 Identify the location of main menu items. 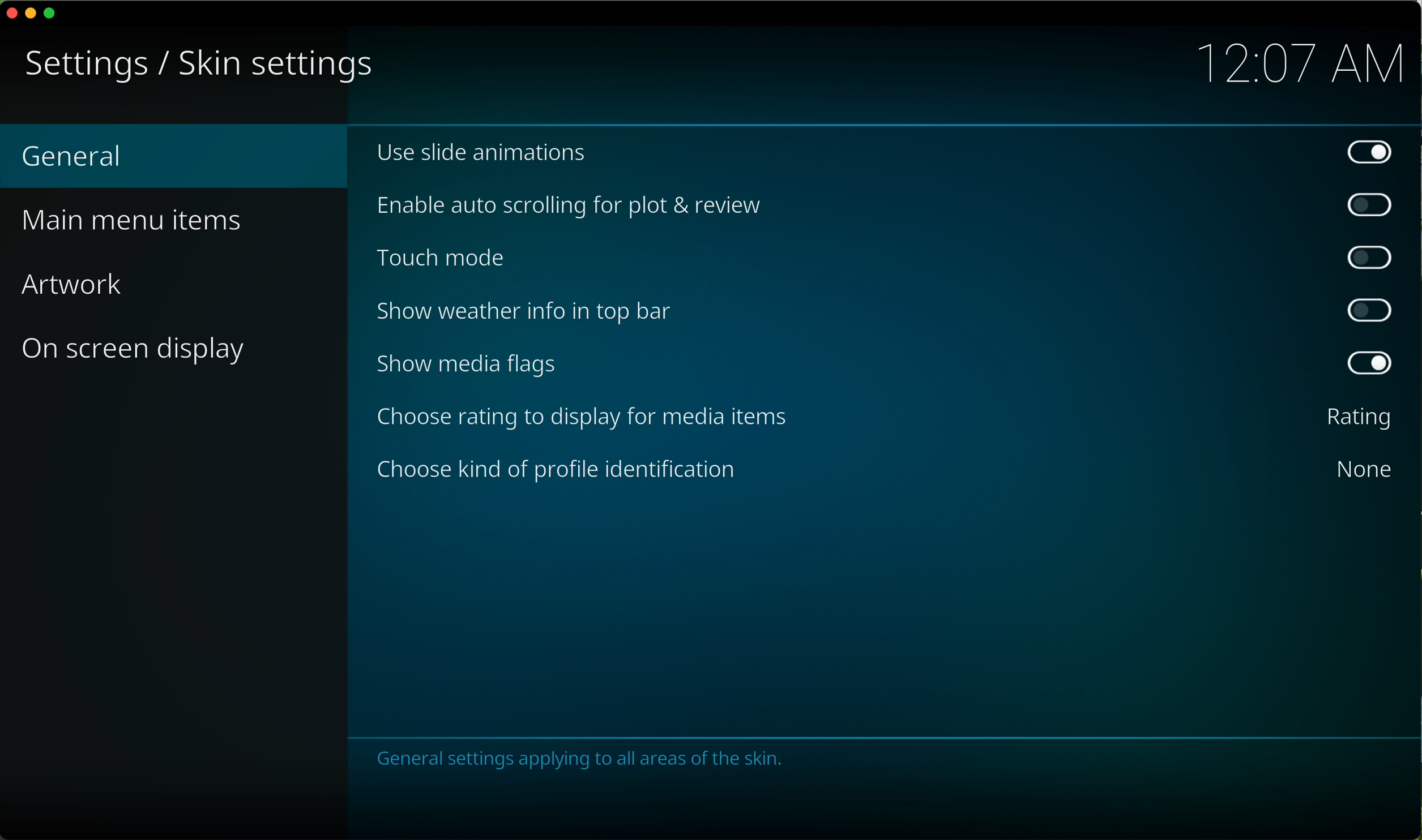
(139, 221).